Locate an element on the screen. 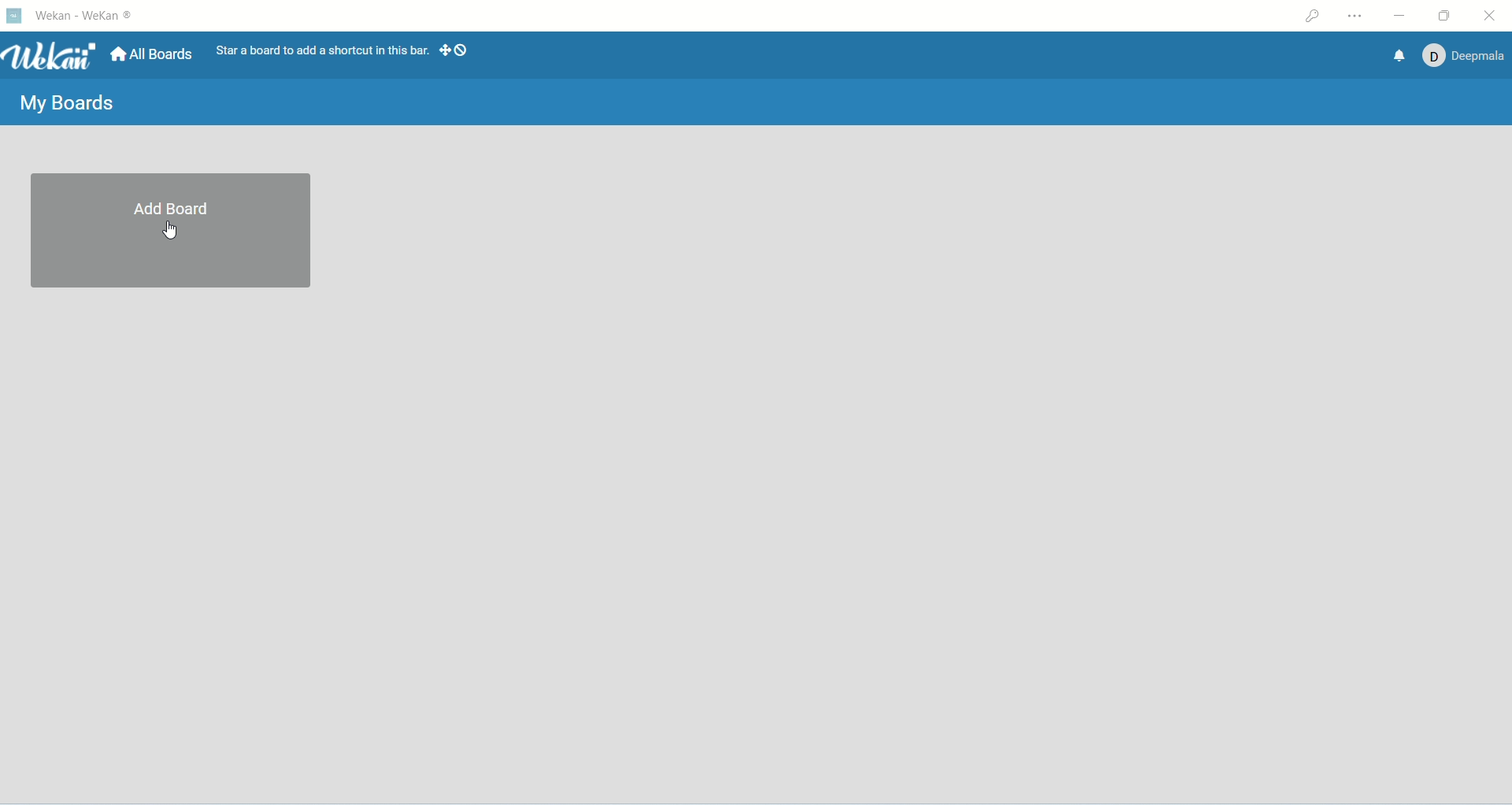 This screenshot has width=1512, height=805. add boards is located at coordinates (174, 233).